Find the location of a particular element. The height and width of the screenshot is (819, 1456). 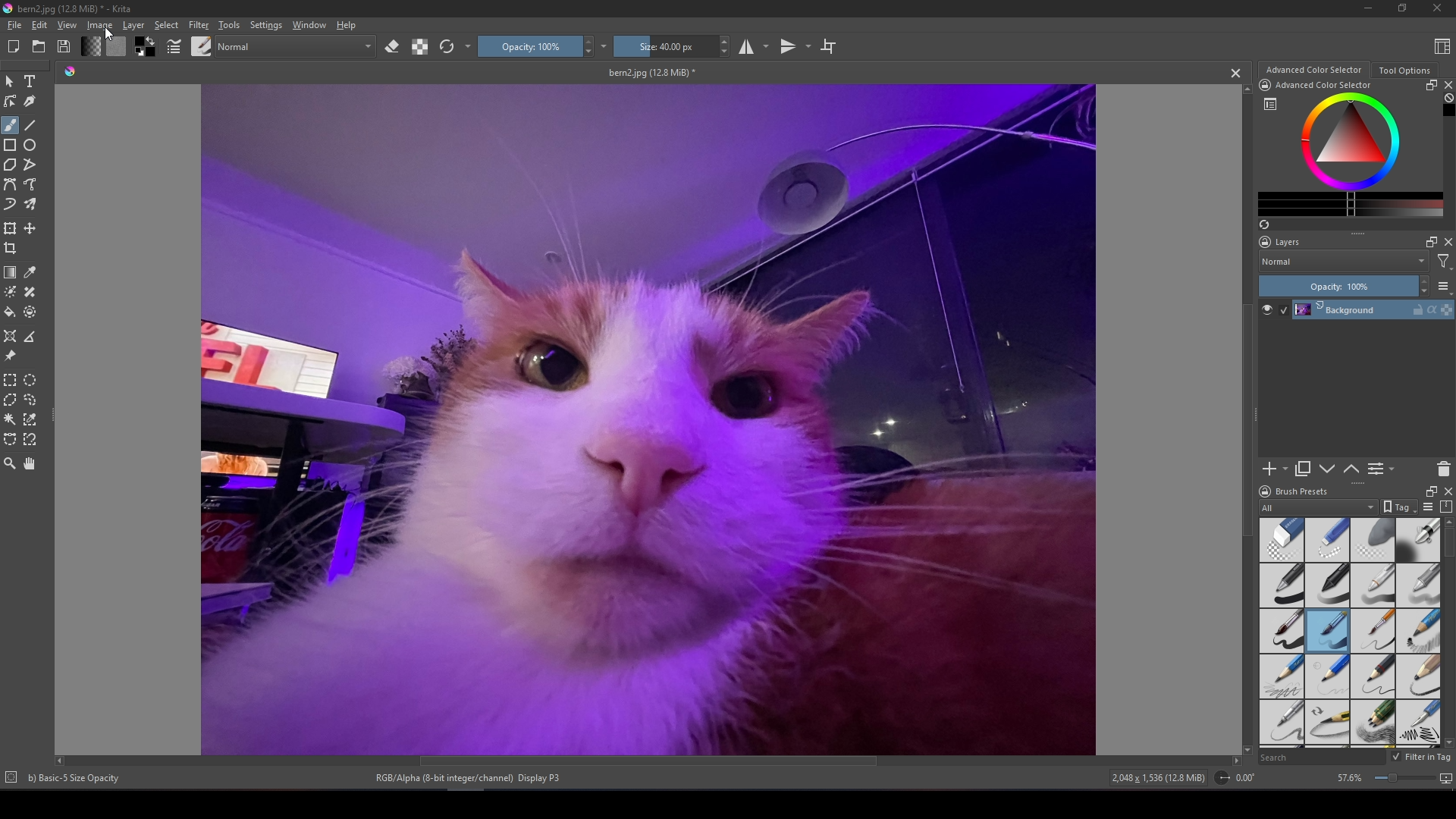

Layer is located at coordinates (133, 26).